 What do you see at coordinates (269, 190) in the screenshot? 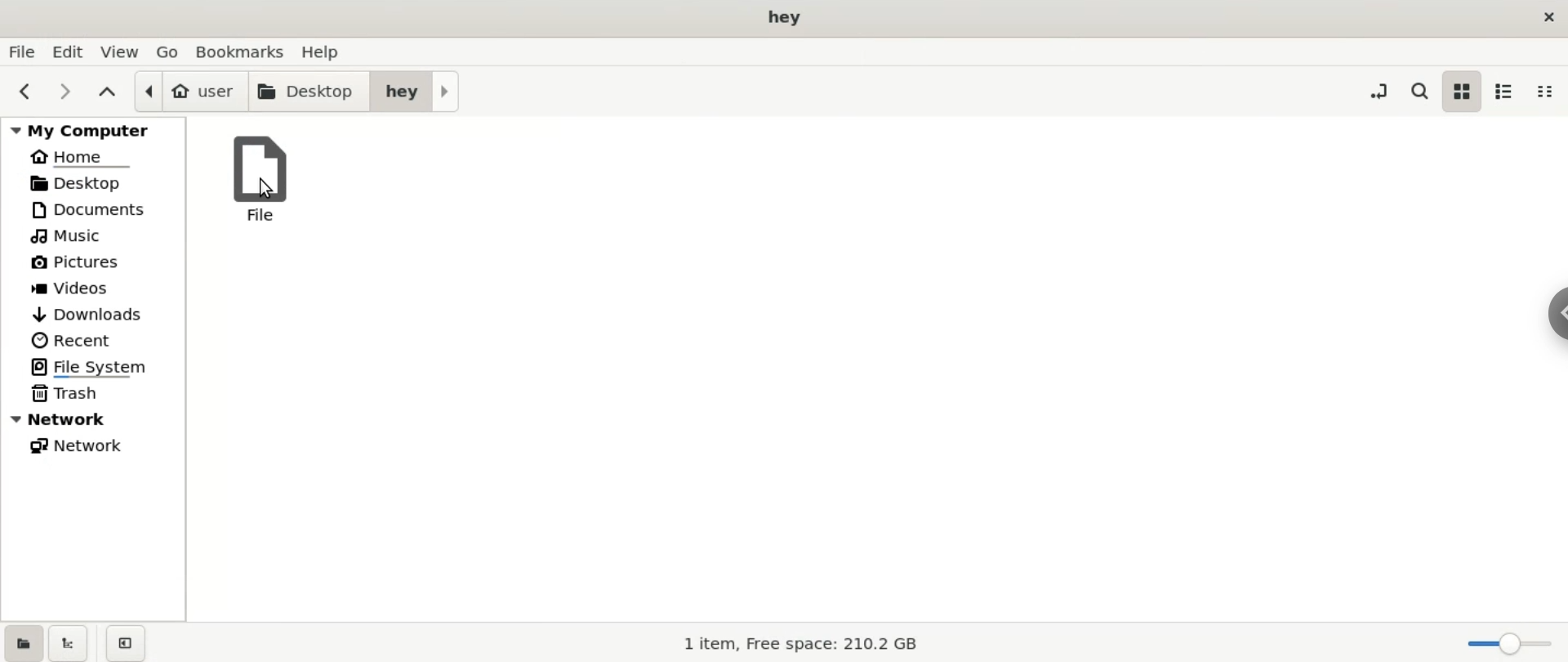
I see `cursor` at bounding box center [269, 190].